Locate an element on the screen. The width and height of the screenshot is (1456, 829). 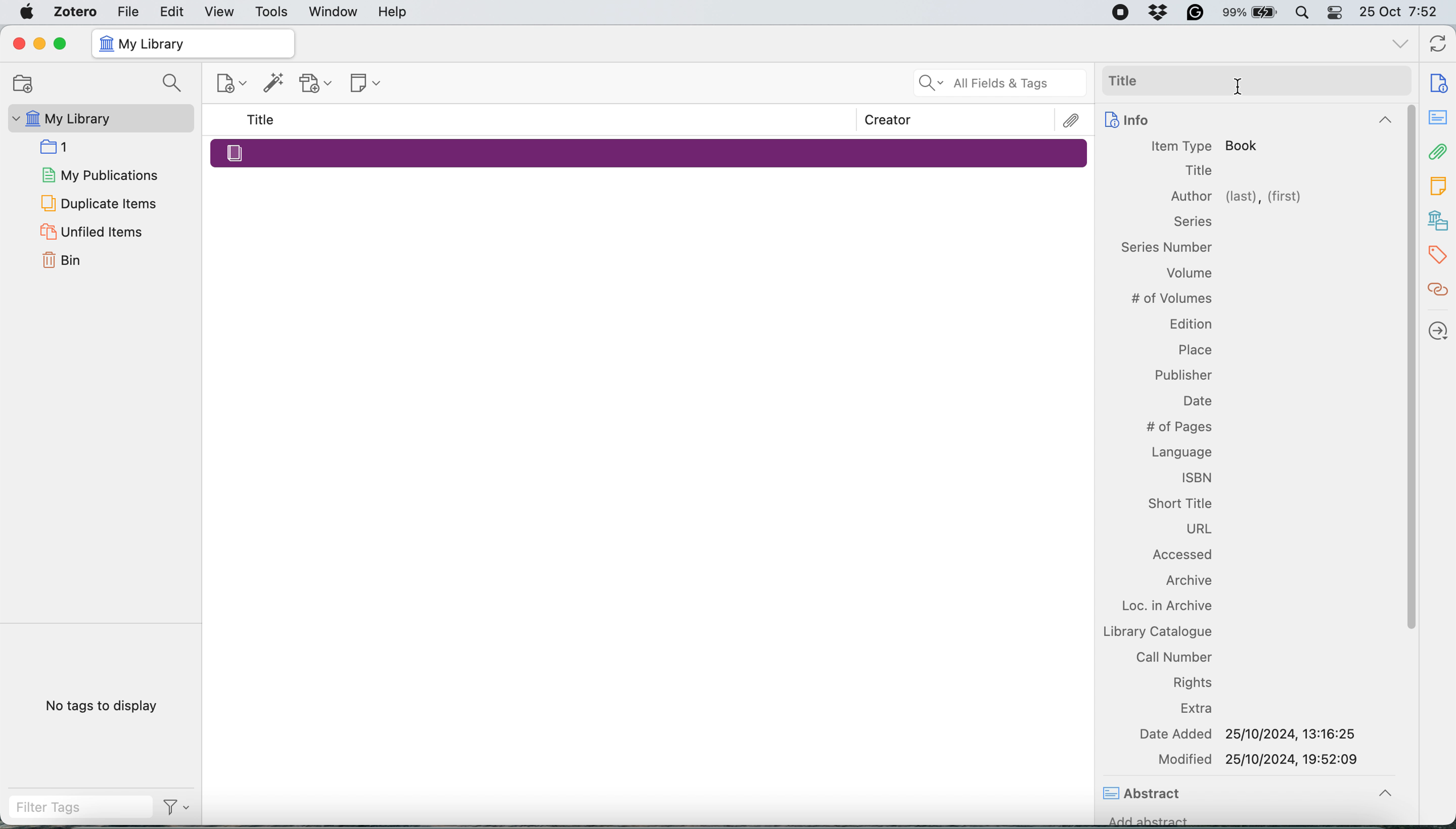
New Note is located at coordinates (367, 84).